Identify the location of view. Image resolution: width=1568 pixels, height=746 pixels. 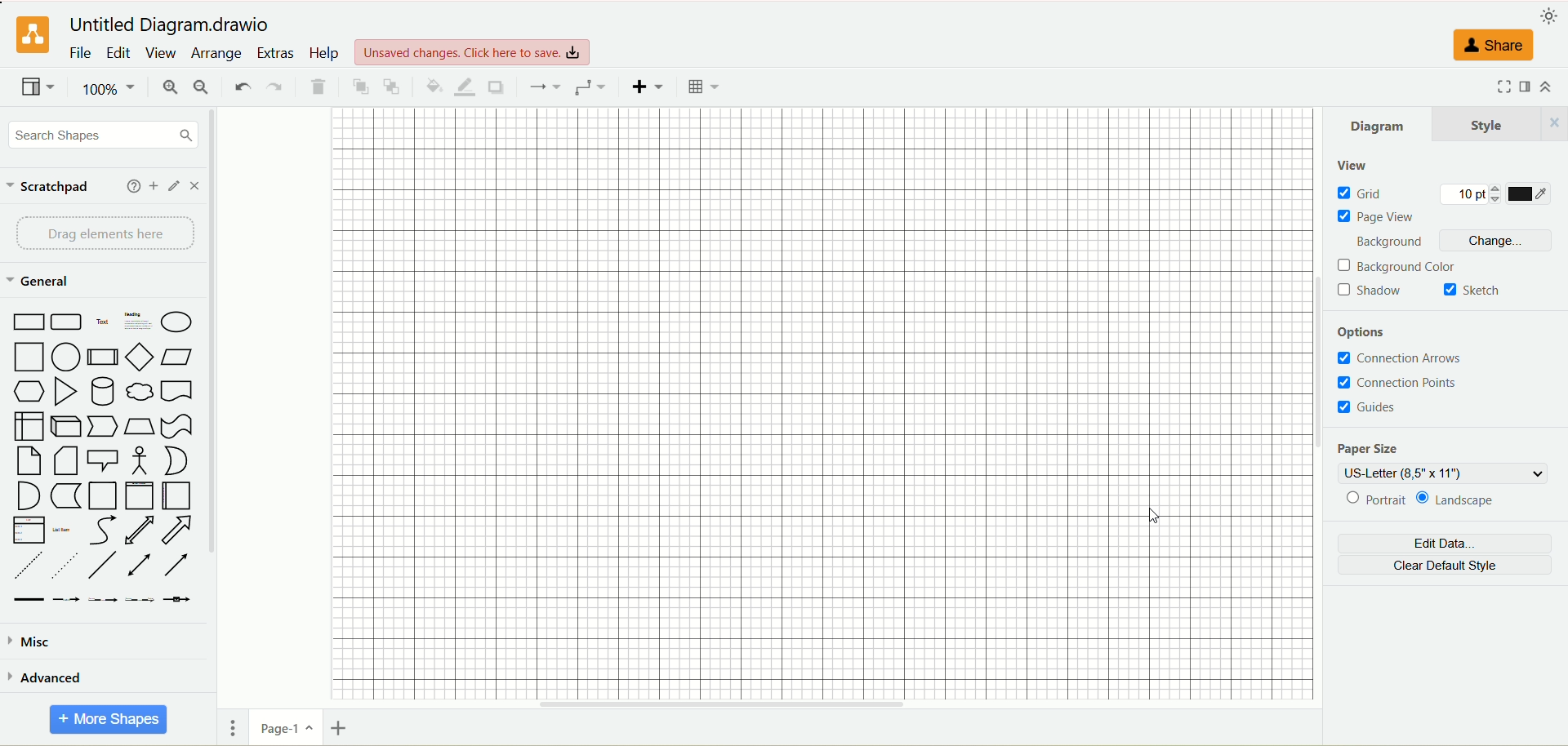
(37, 88).